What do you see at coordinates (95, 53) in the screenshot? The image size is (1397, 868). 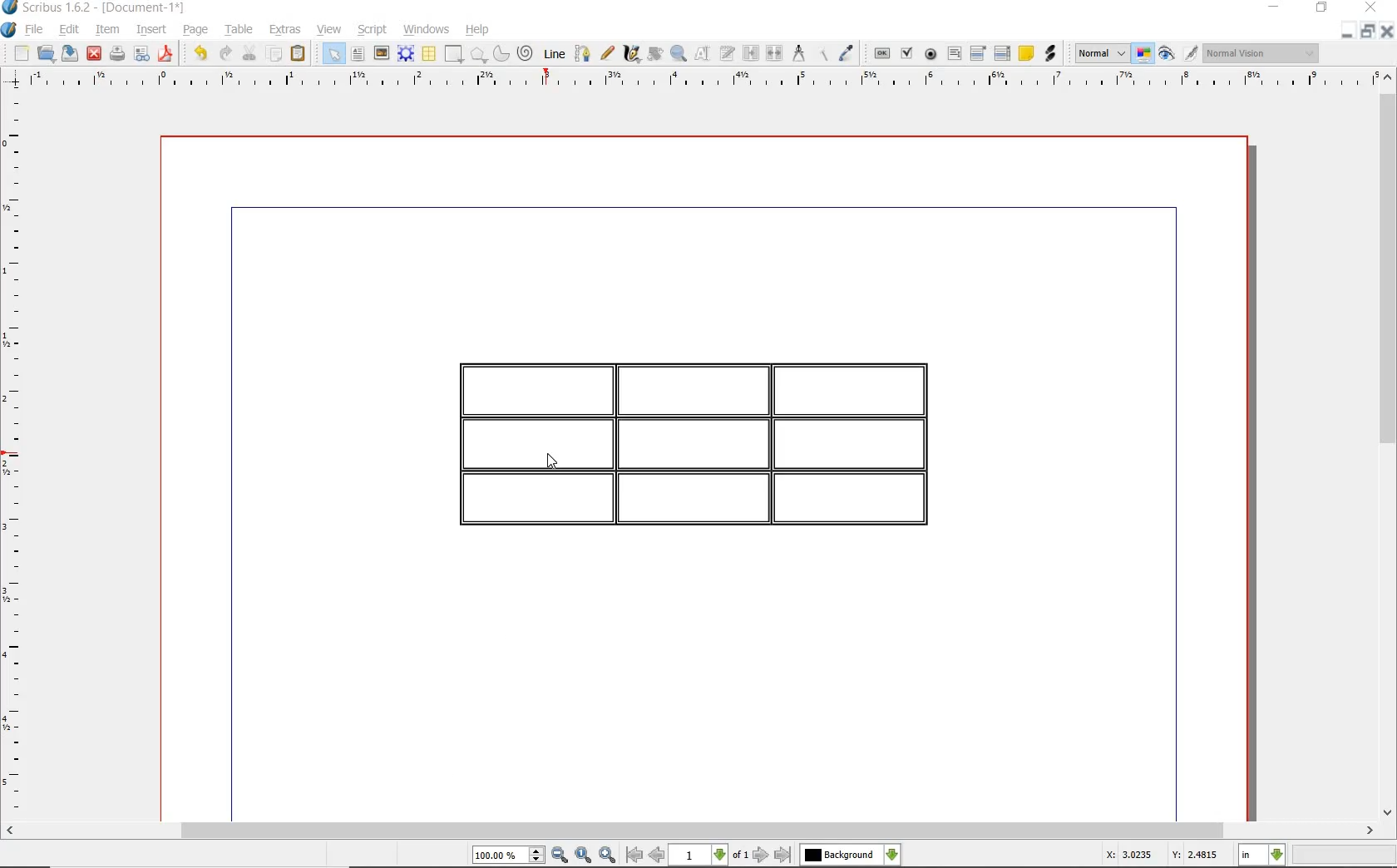 I see `close` at bounding box center [95, 53].